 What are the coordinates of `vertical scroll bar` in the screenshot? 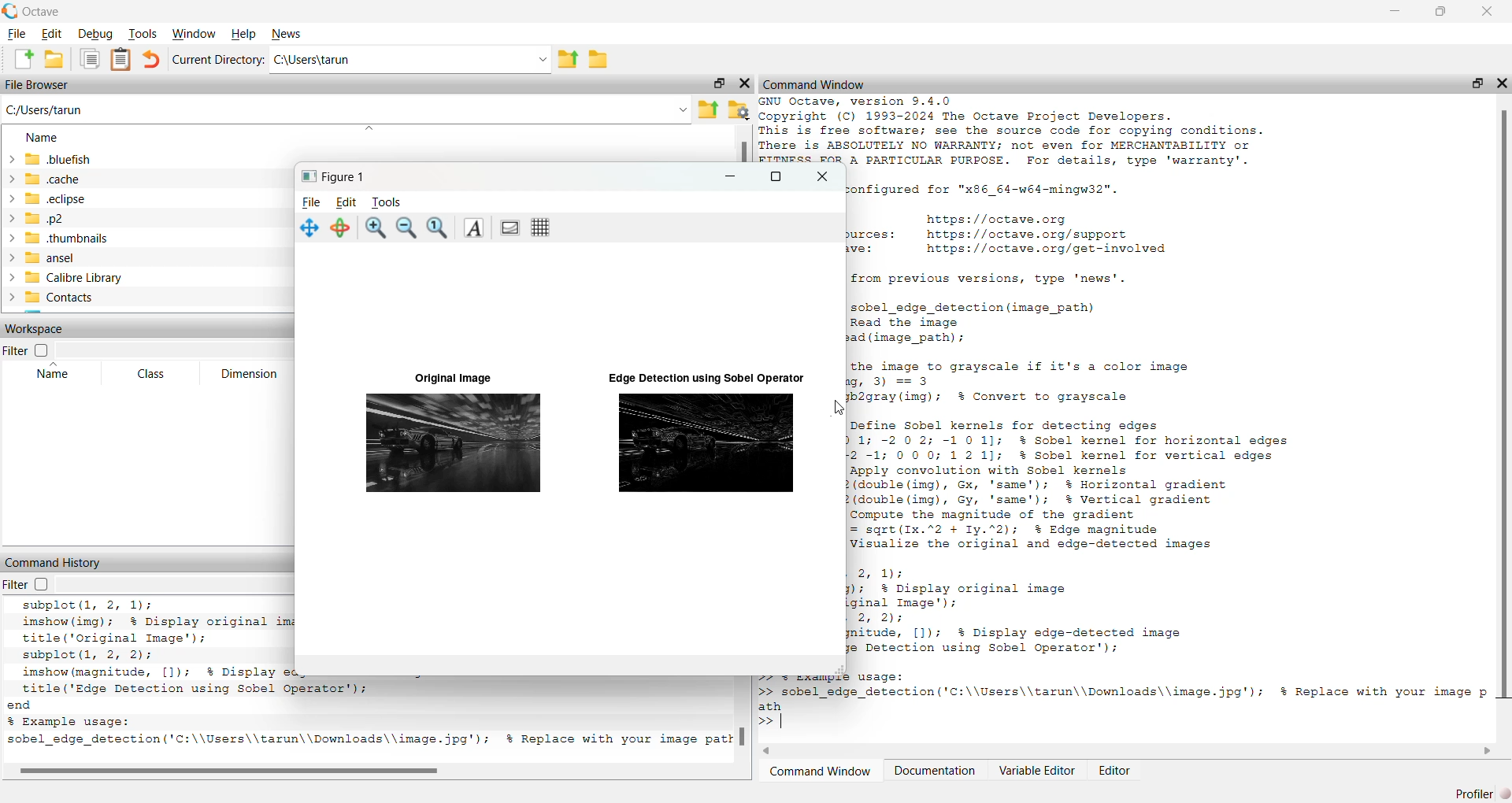 It's located at (1501, 405).